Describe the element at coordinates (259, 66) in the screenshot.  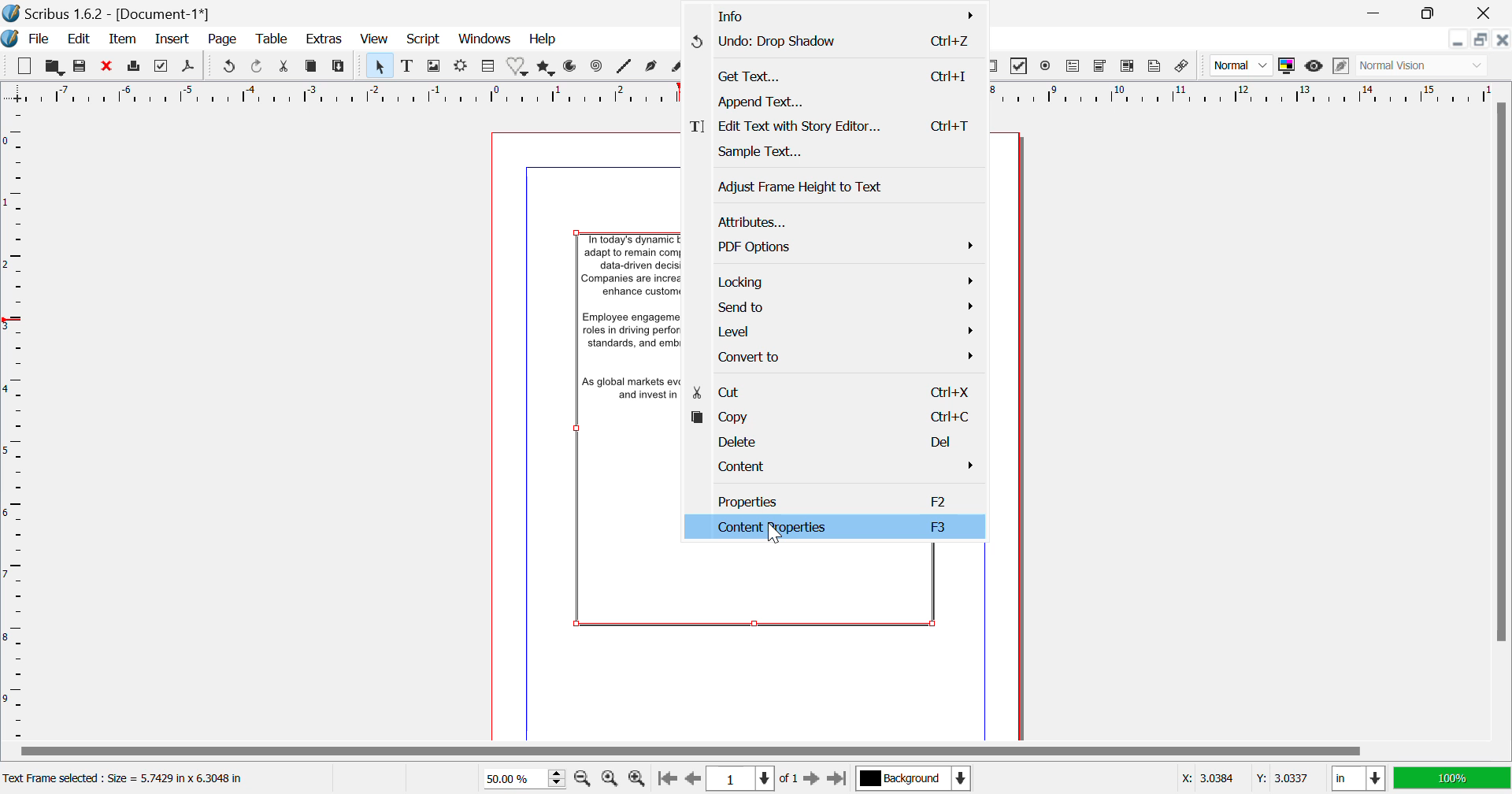
I see `Redo` at that location.